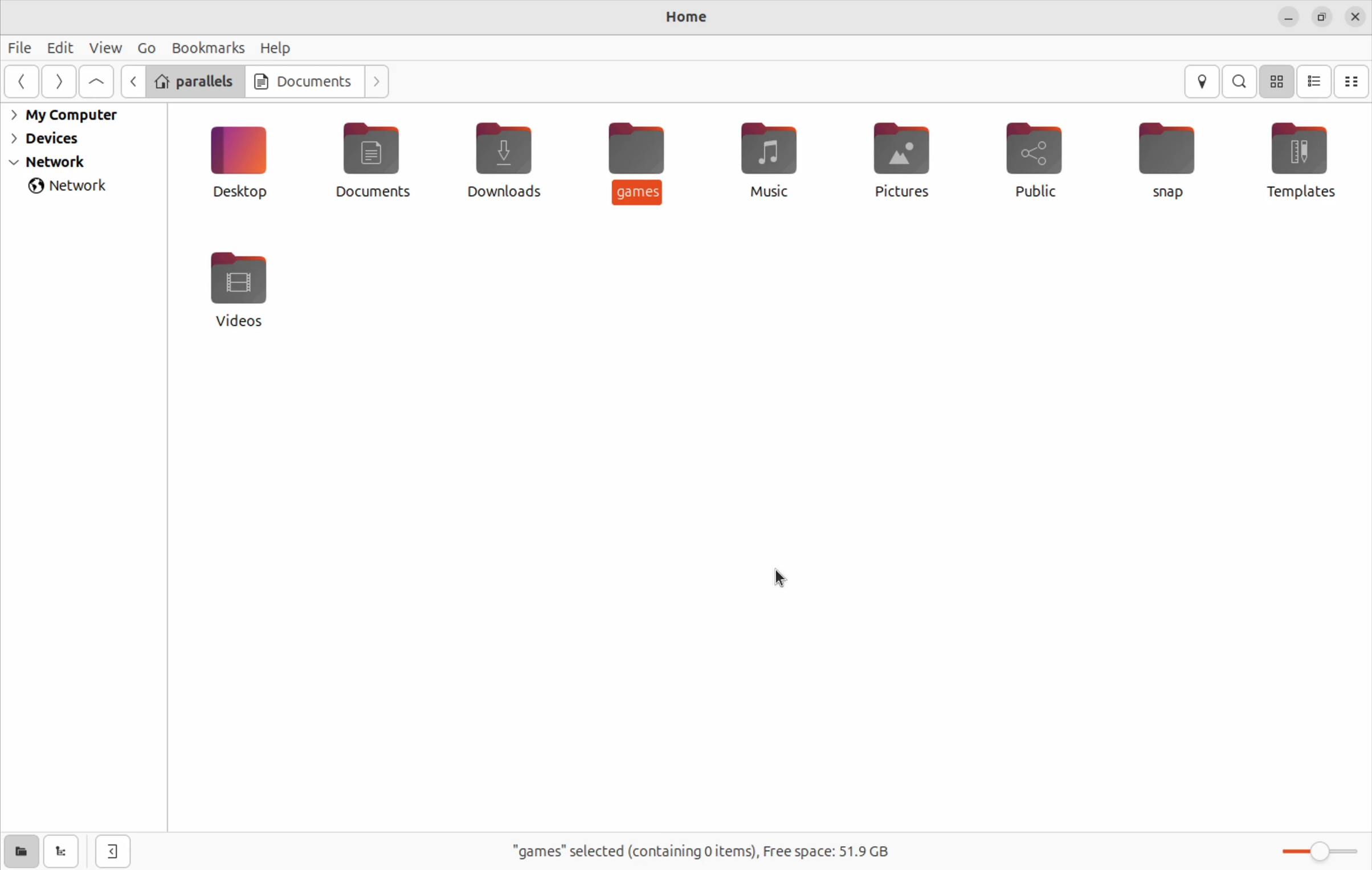 This screenshot has height=870, width=1372. Describe the element at coordinates (1040, 161) in the screenshot. I see `public` at that location.